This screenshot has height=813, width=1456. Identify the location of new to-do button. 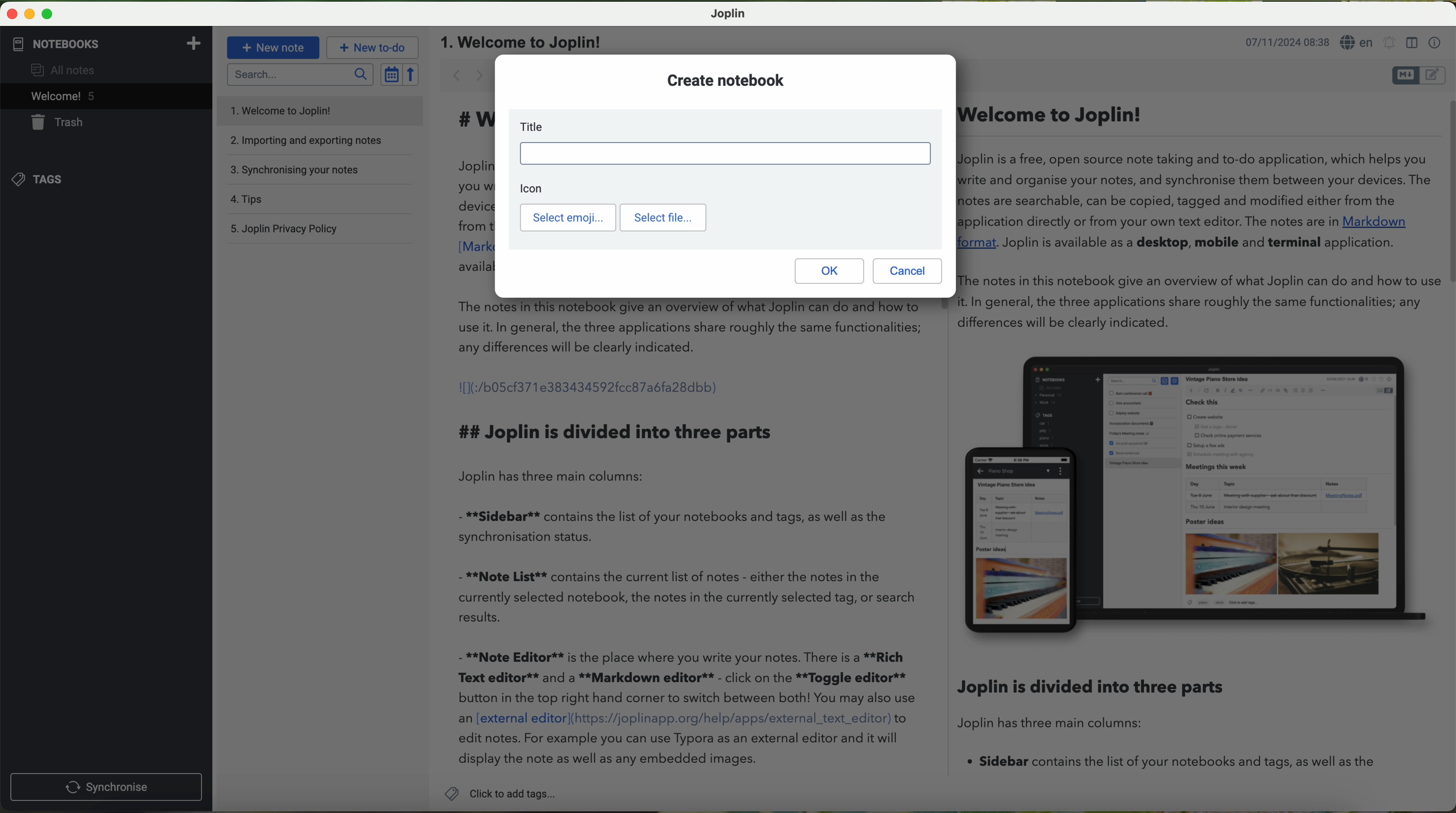
(374, 47).